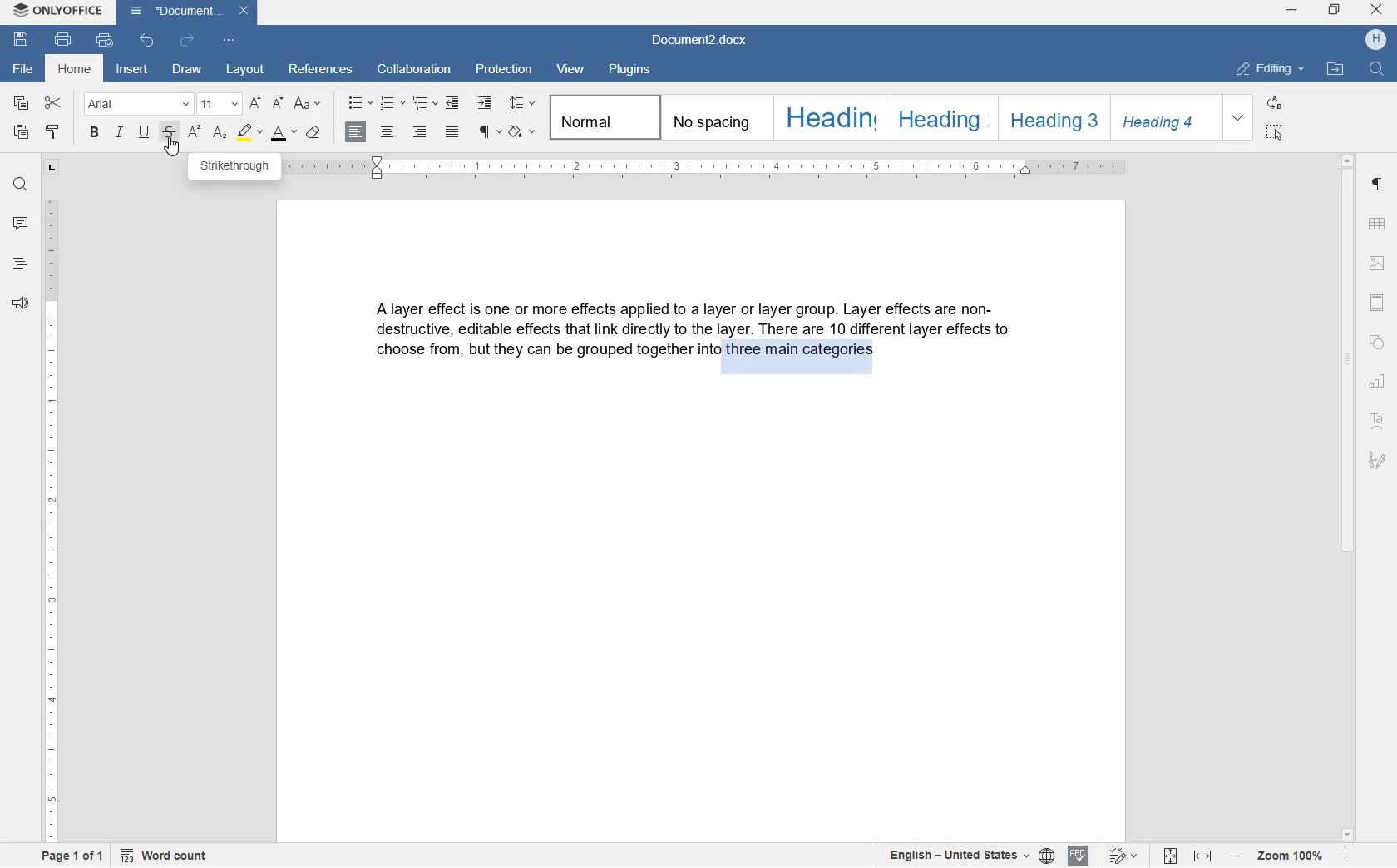 This screenshot has height=868, width=1397. I want to click on bullet, so click(359, 103).